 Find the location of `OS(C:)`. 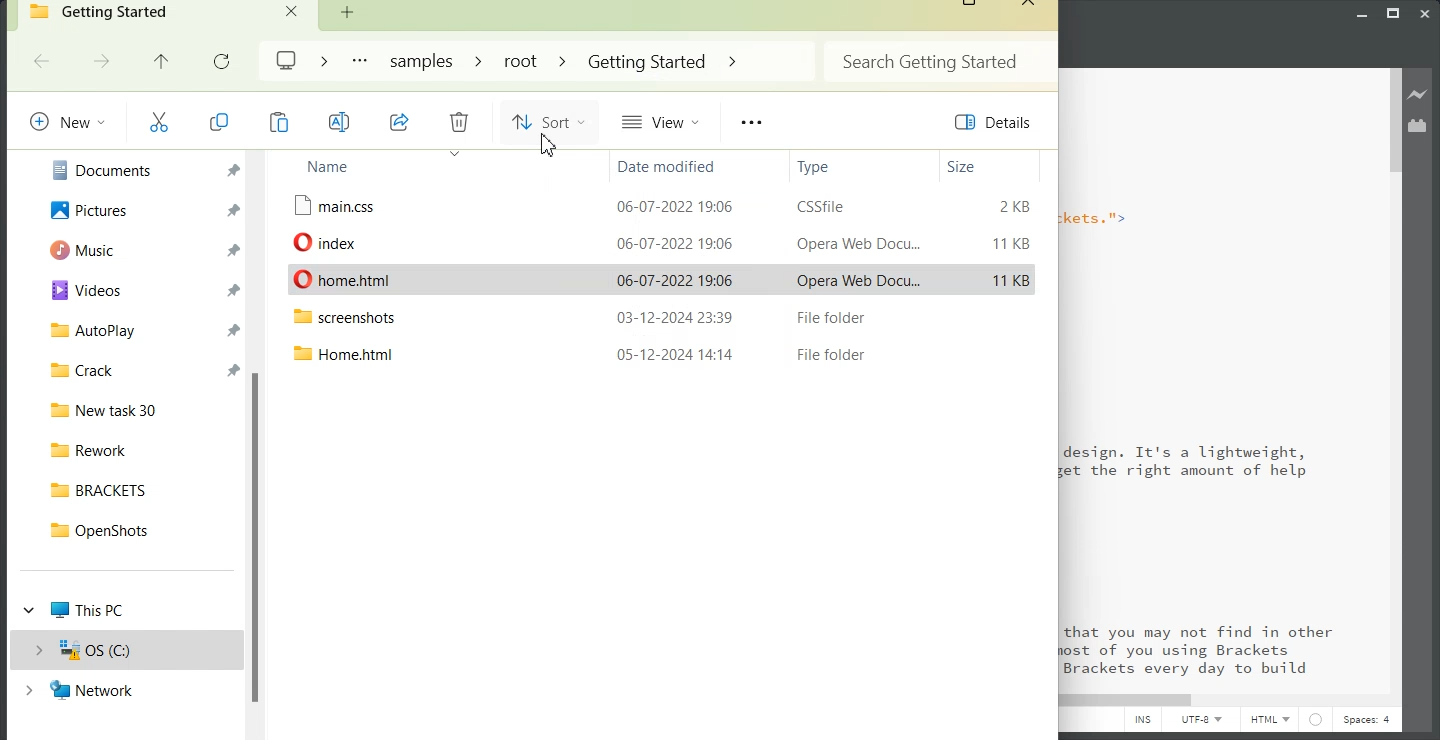

OS(C:) is located at coordinates (127, 649).